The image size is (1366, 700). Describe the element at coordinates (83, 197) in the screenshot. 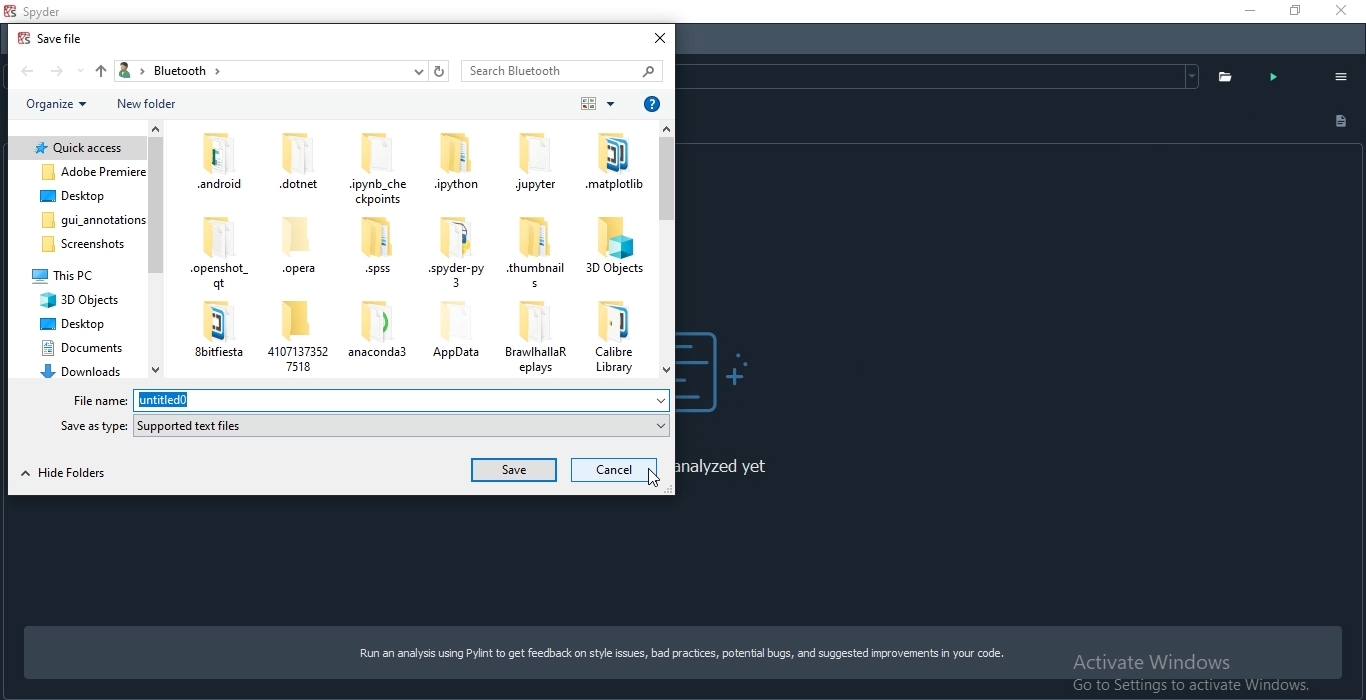

I see `folder 3` at that location.